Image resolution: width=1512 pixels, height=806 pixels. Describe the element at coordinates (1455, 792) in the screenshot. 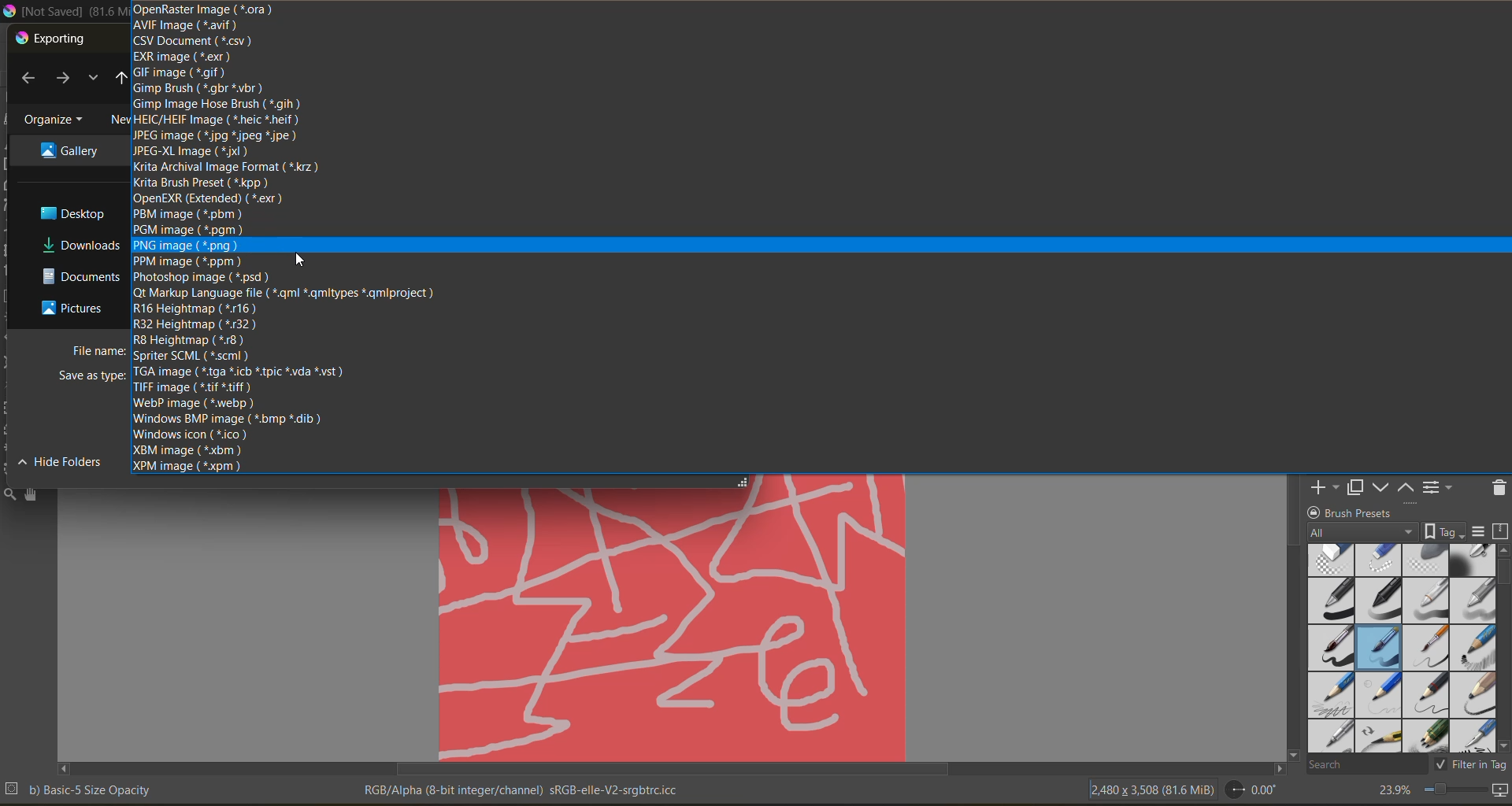

I see `zoom` at that location.